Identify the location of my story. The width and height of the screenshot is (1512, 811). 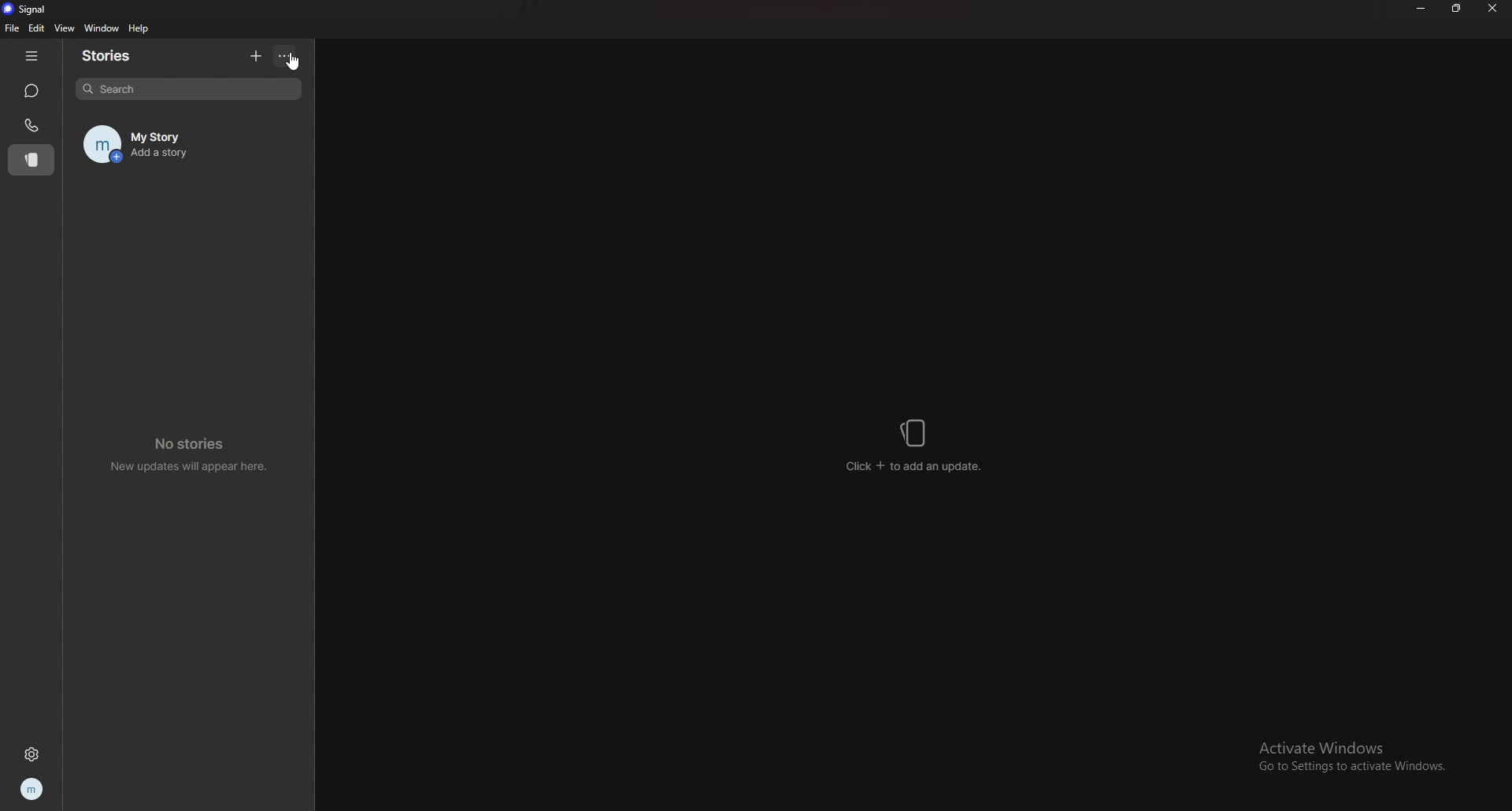
(210, 132).